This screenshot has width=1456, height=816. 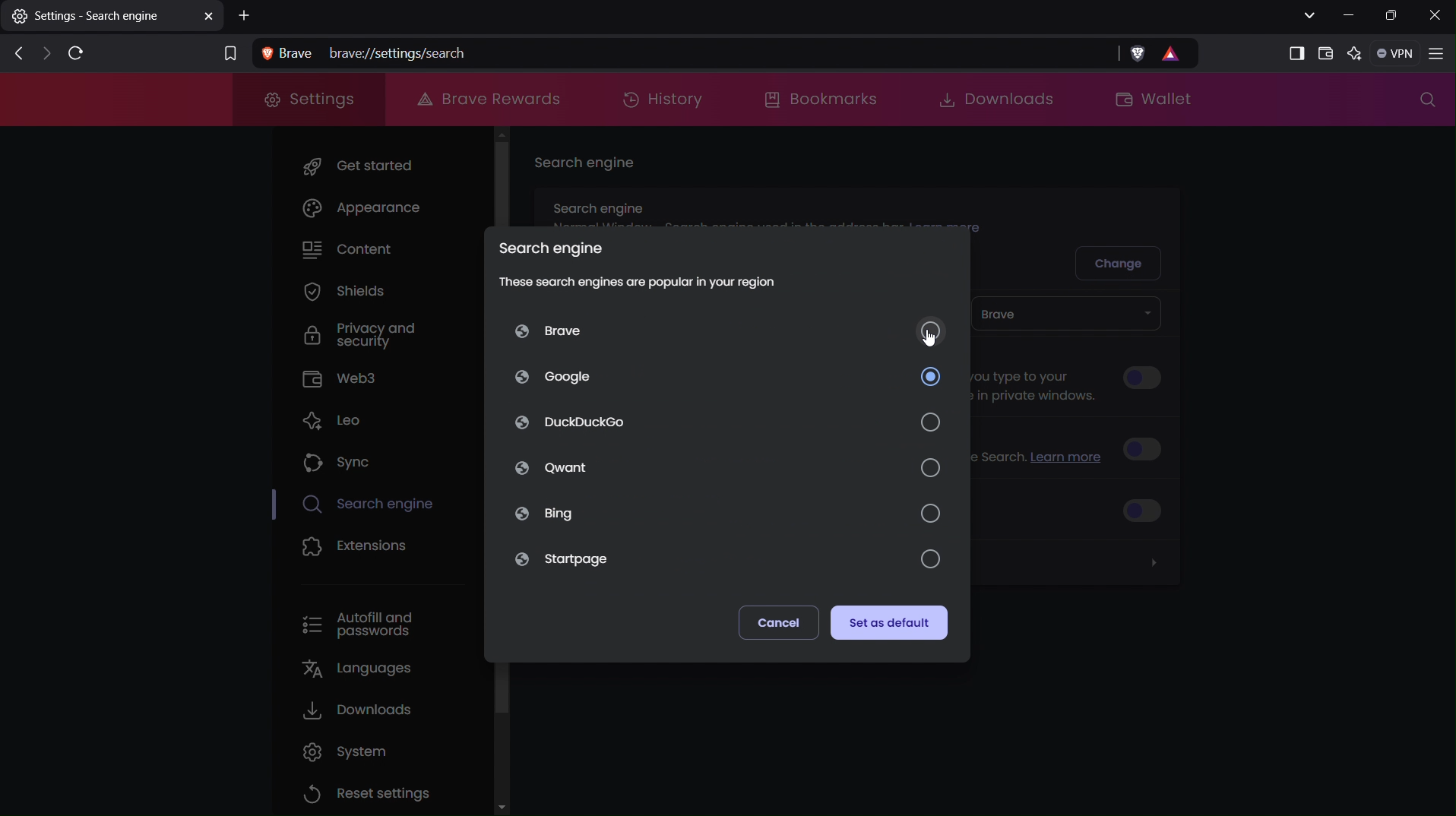 I want to click on Change, so click(x=1121, y=261).